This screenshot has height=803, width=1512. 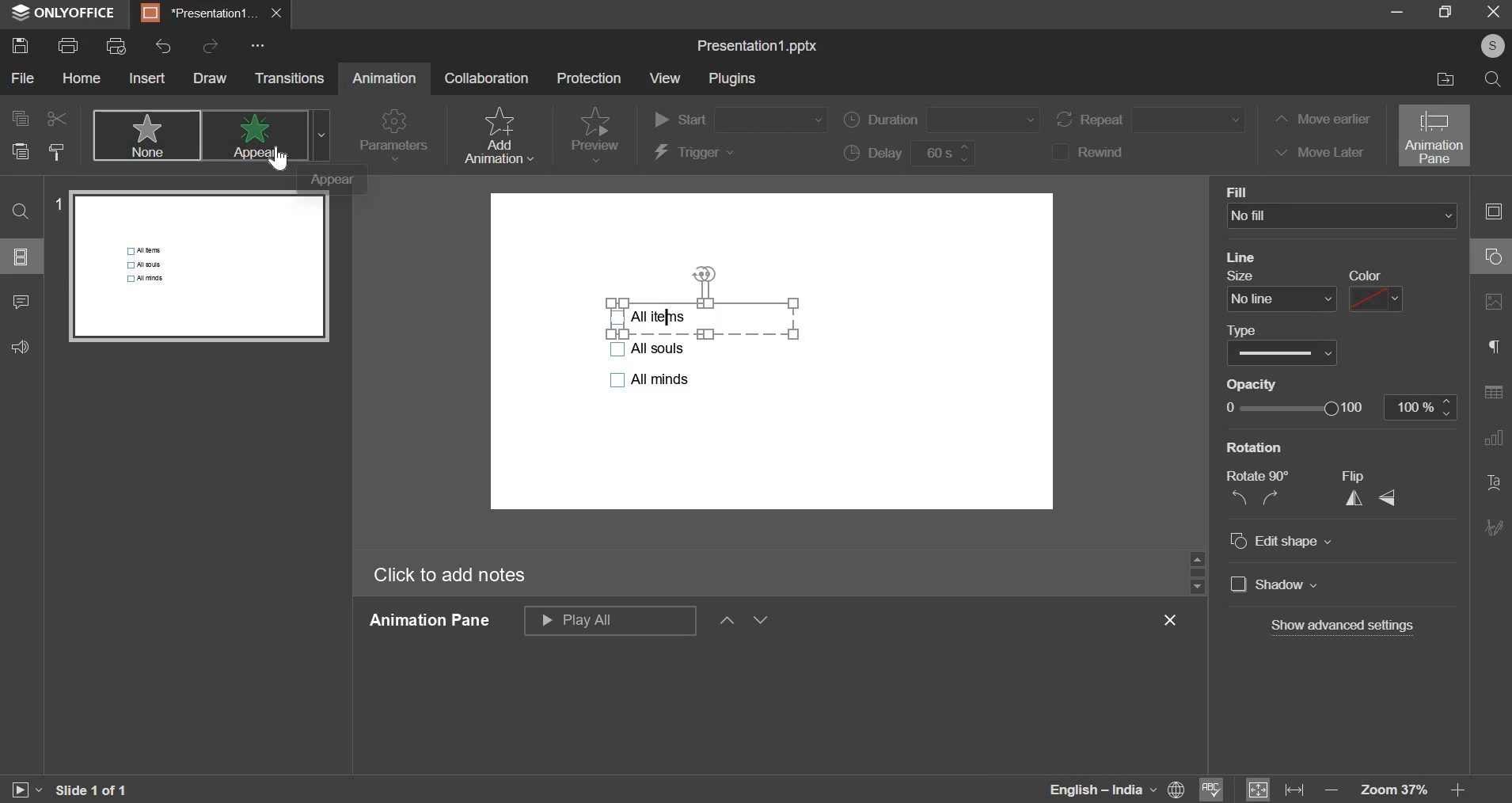 What do you see at coordinates (1153, 120) in the screenshot?
I see `repeat` at bounding box center [1153, 120].